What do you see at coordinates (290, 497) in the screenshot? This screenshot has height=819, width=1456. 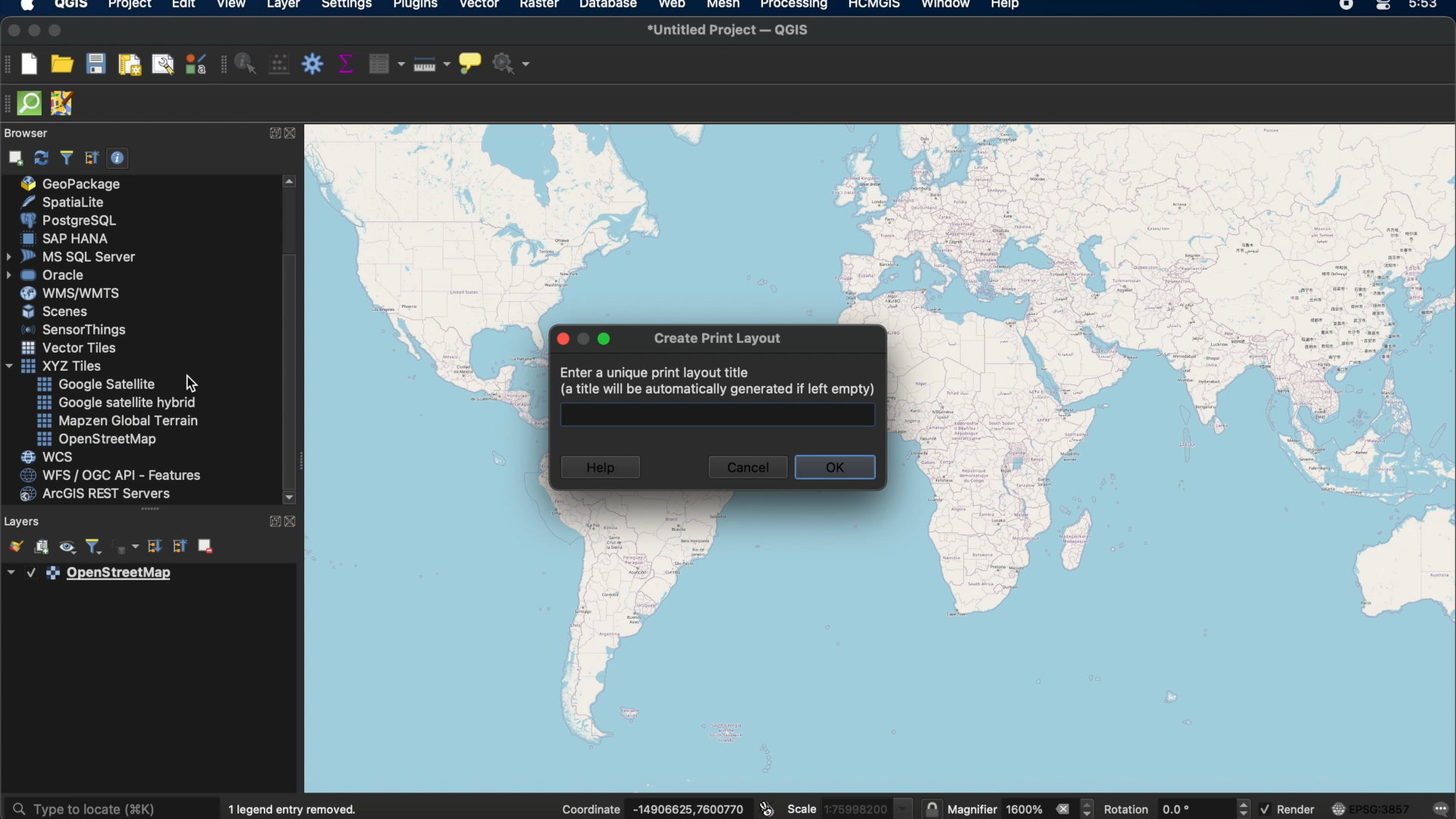 I see `scroll down arrow` at bounding box center [290, 497].